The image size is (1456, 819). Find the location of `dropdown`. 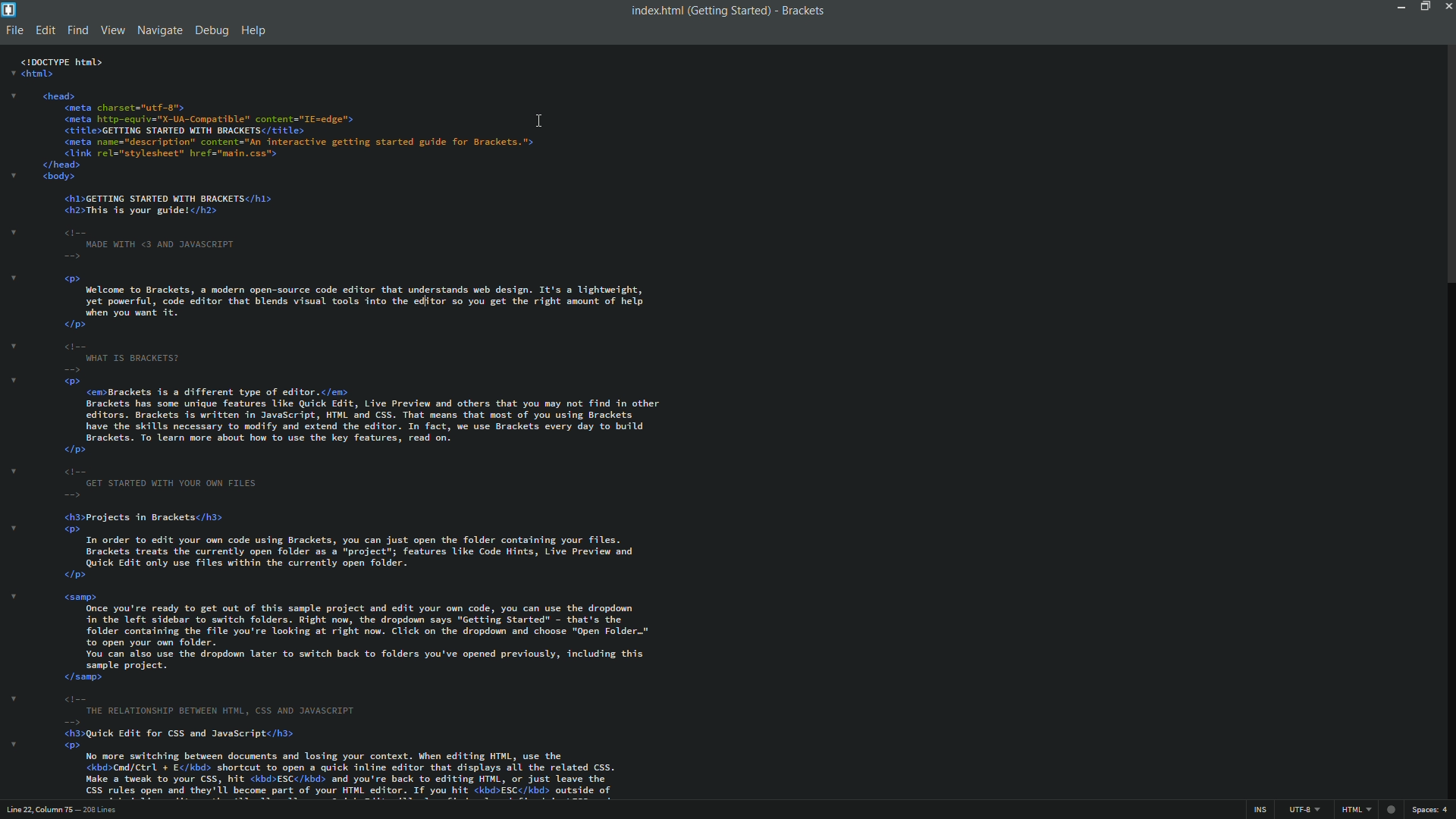

dropdown is located at coordinates (12, 73).